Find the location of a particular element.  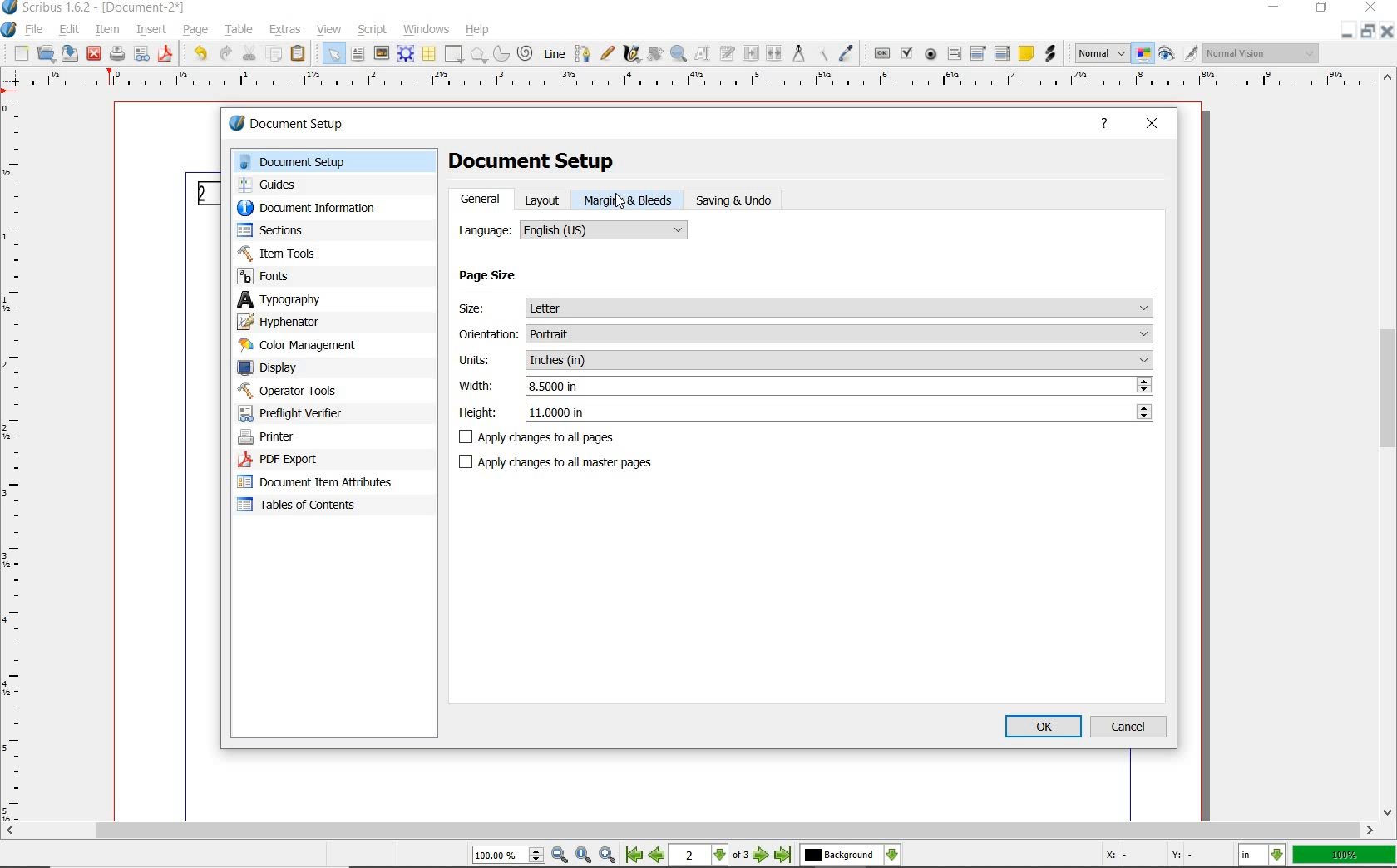

Page 2 Numbering is located at coordinates (206, 194).